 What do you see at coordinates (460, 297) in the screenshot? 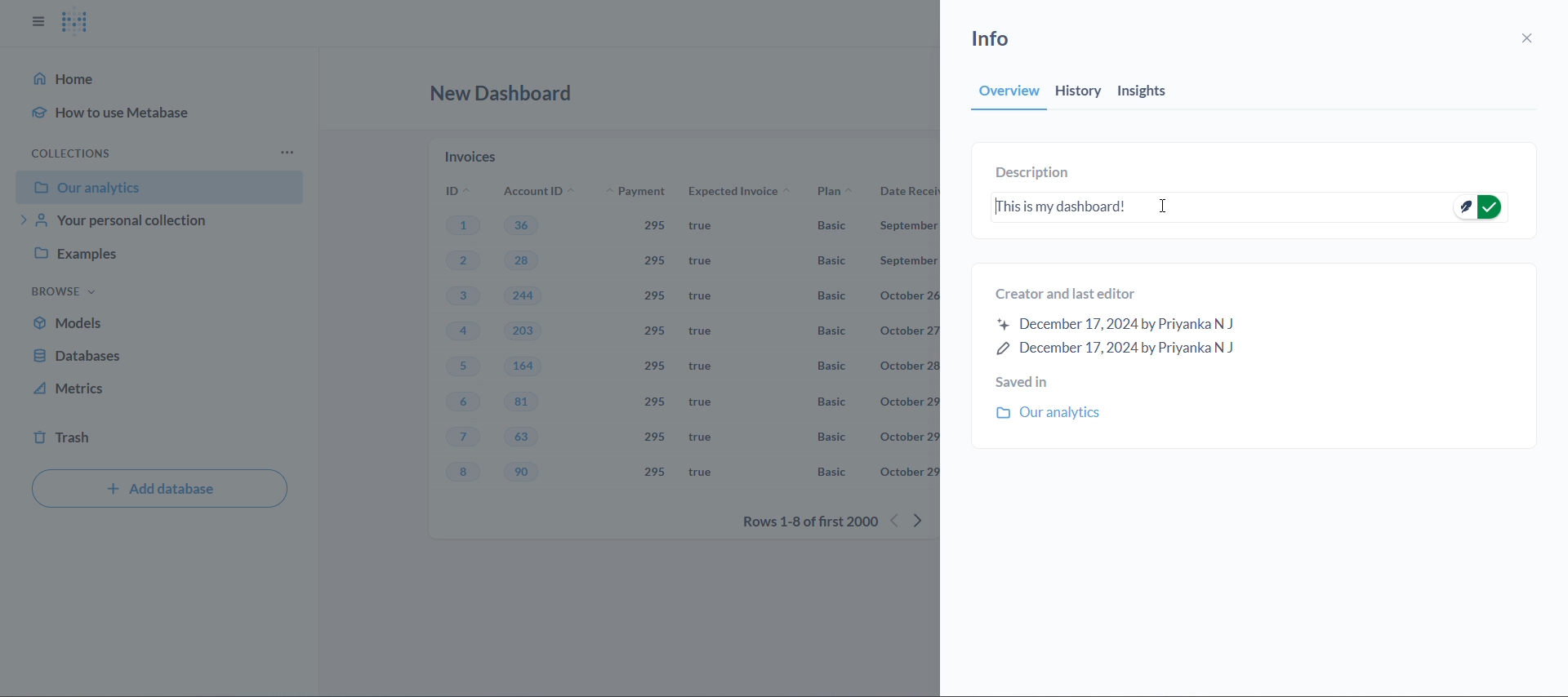
I see `3` at bounding box center [460, 297].